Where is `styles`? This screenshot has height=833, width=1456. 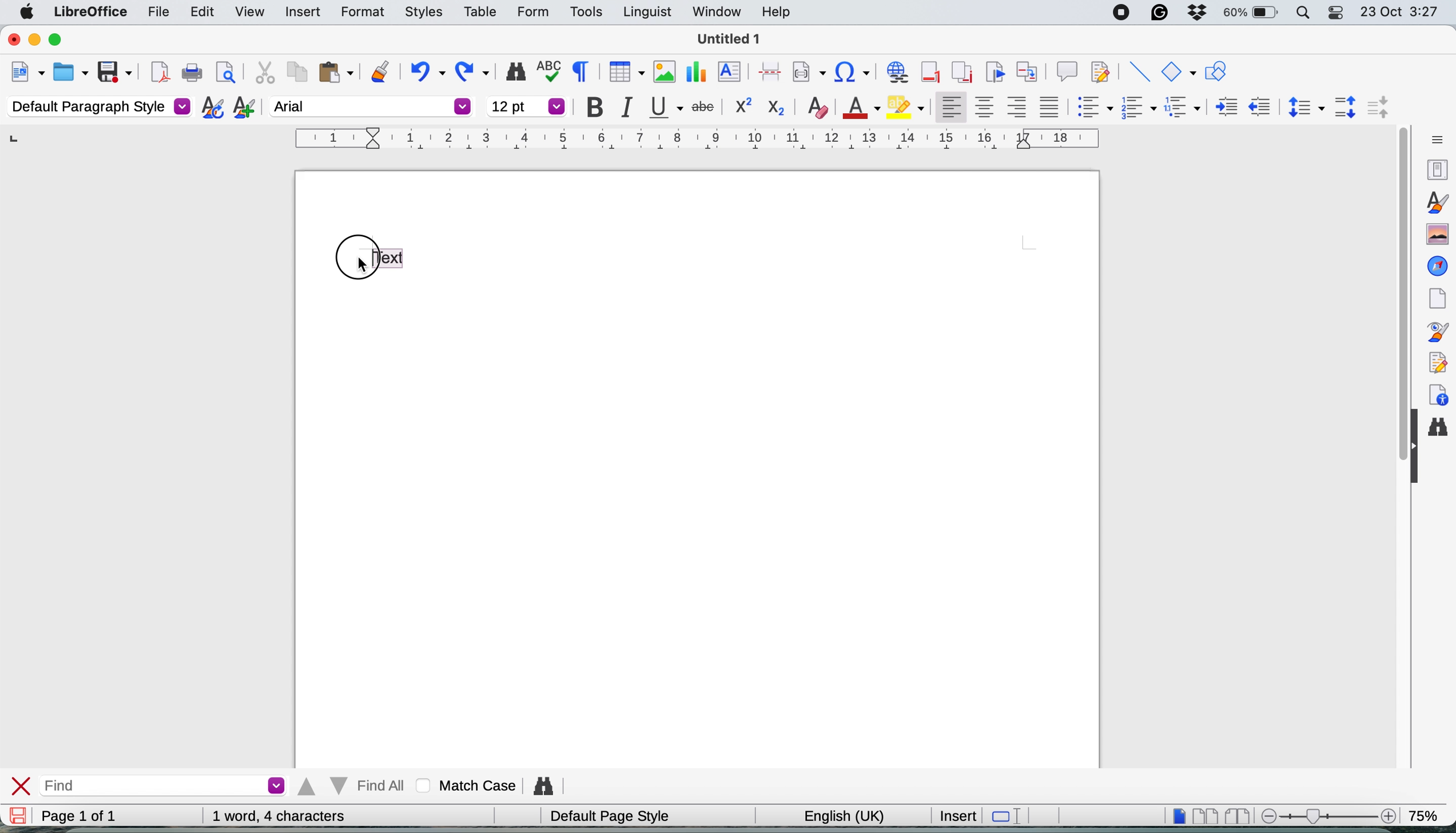 styles is located at coordinates (418, 13).